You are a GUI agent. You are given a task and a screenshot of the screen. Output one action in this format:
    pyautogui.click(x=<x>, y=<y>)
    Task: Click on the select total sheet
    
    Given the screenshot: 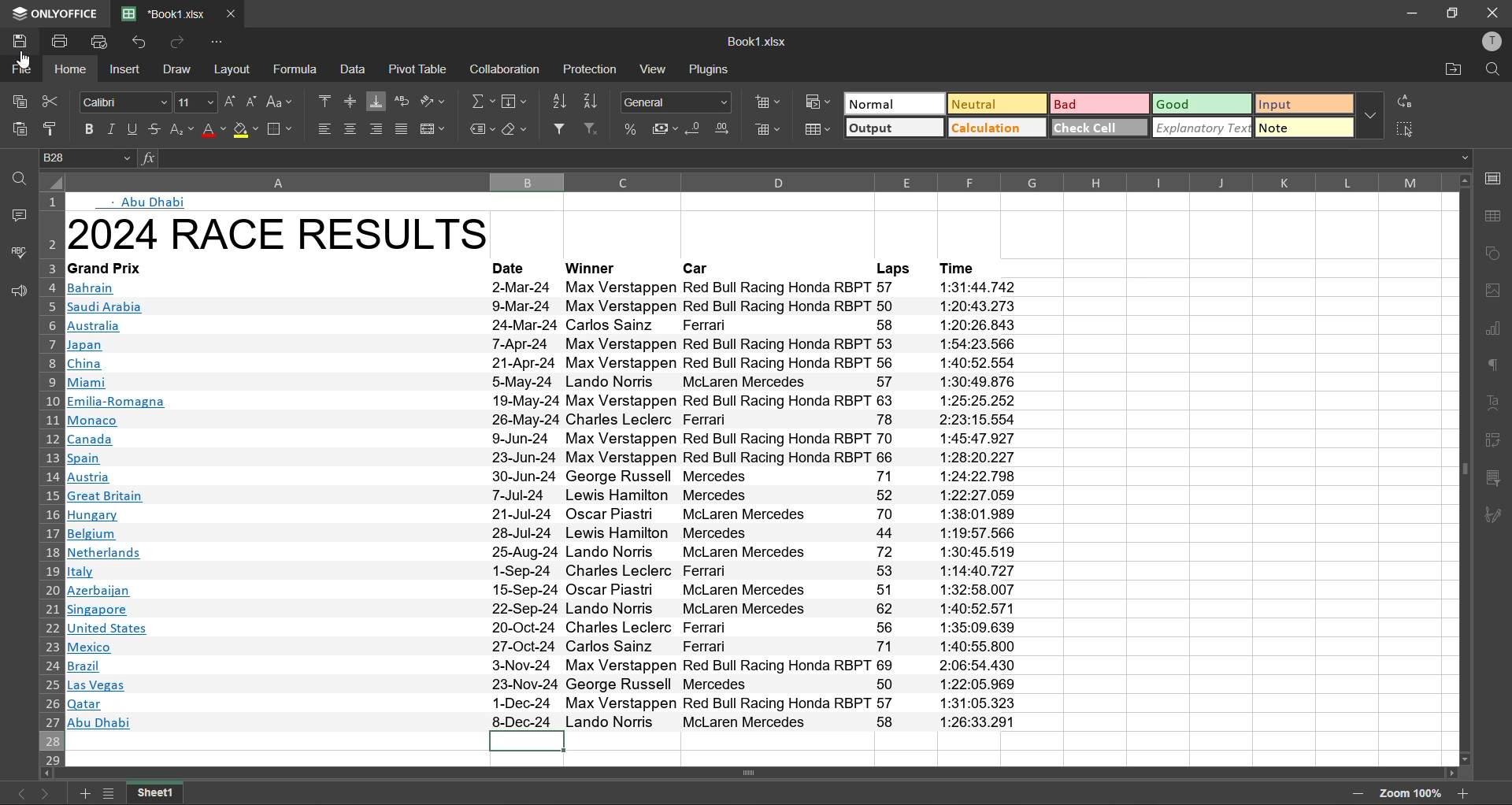 What is the action you would take?
    pyautogui.click(x=53, y=180)
    